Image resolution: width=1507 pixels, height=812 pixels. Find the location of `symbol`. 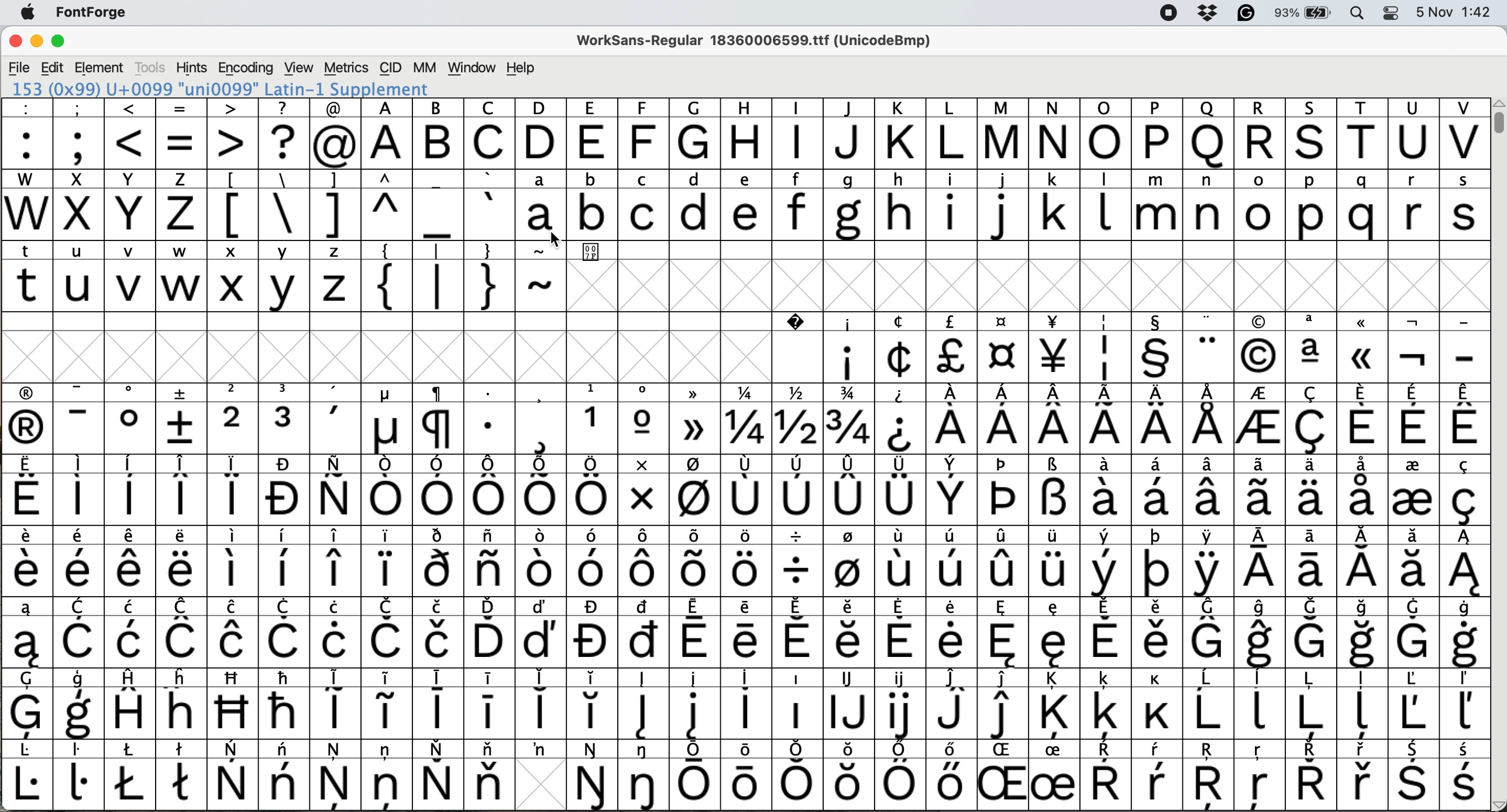

symbol is located at coordinates (543, 490).